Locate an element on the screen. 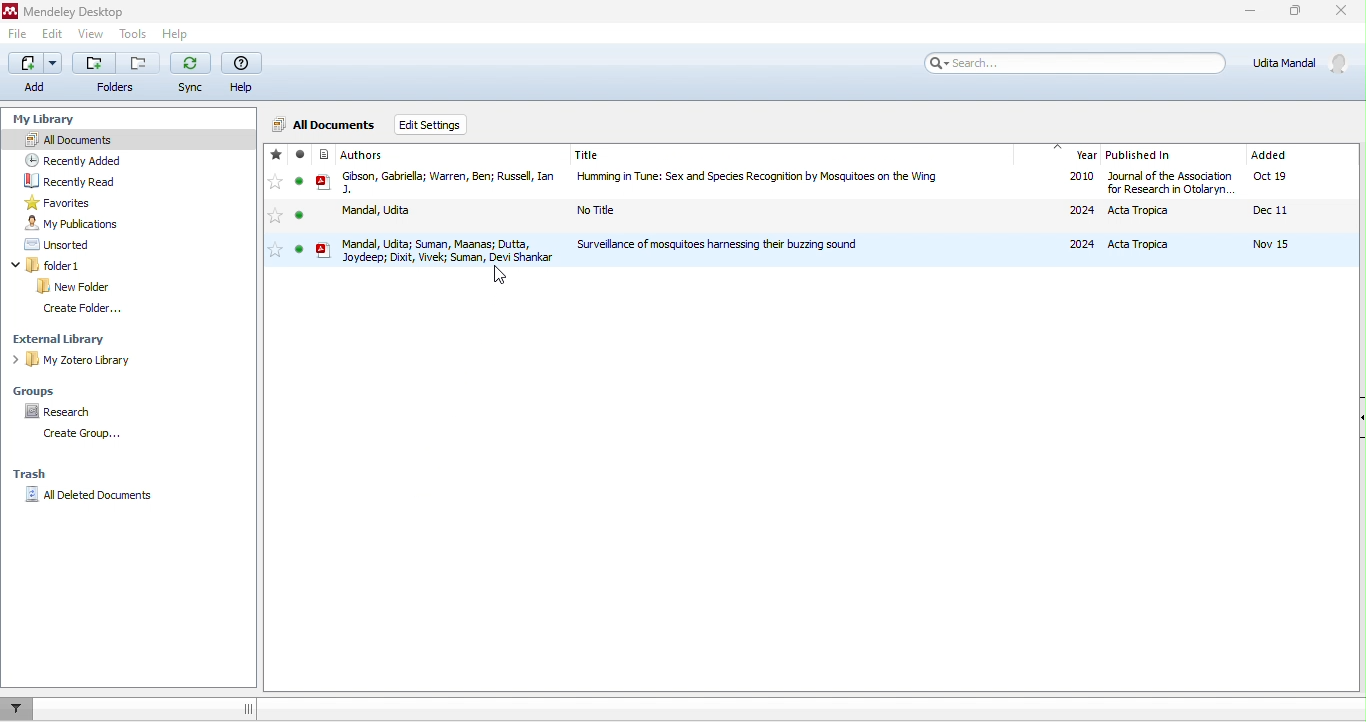  tools is located at coordinates (132, 35).